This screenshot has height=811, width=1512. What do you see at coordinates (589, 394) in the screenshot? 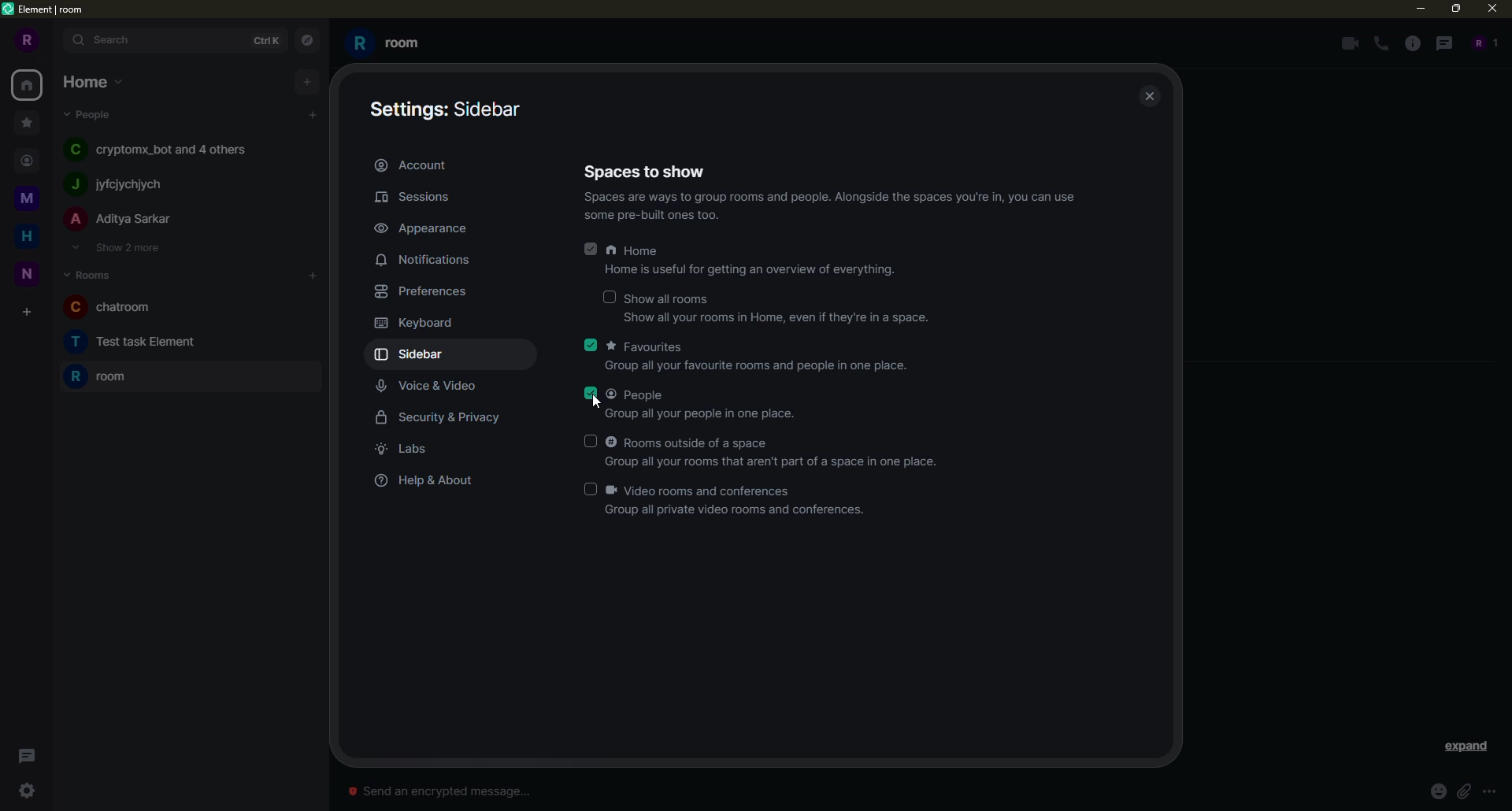
I see `selected` at bounding box center [589, 394].